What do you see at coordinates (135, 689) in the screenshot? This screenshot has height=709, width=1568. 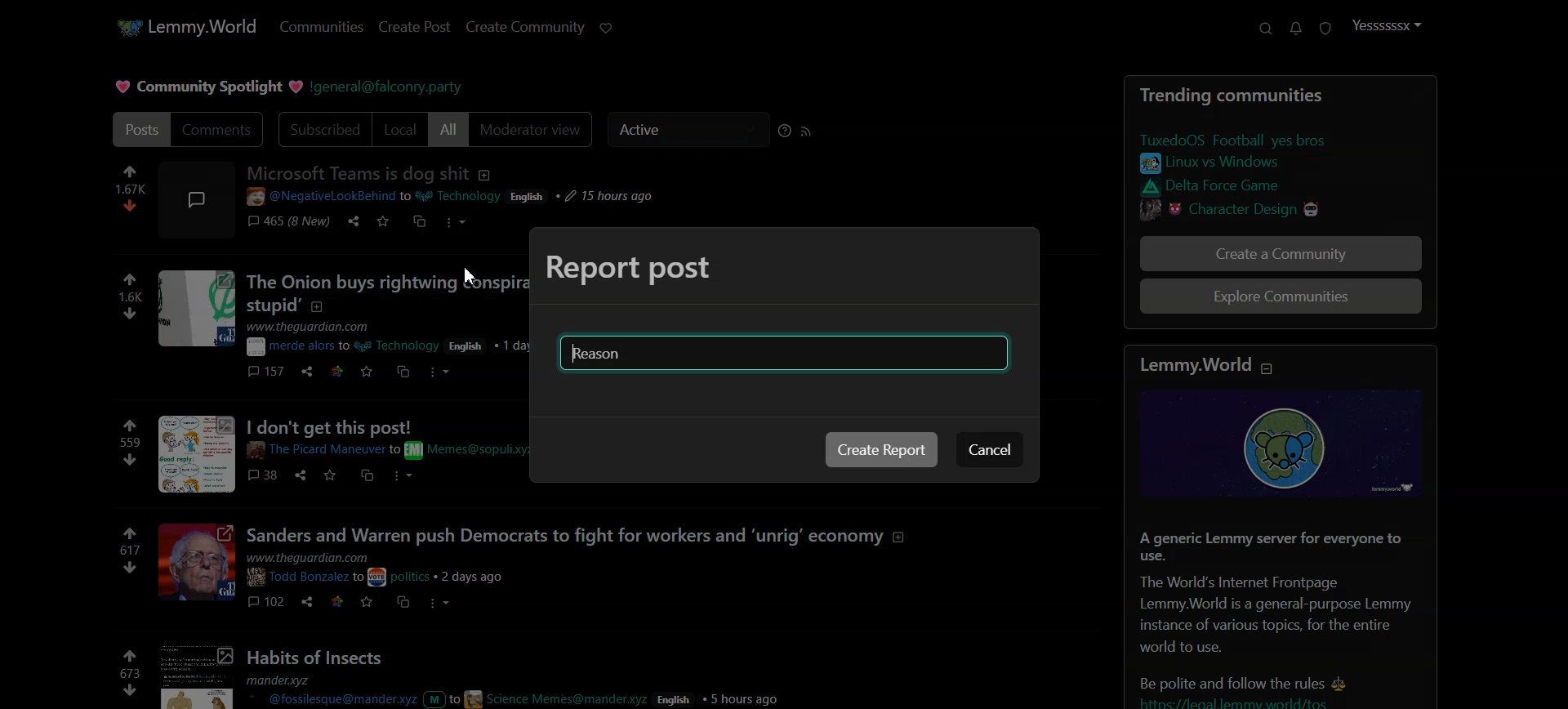 I see `downvote` at bounding box center [135, 689].